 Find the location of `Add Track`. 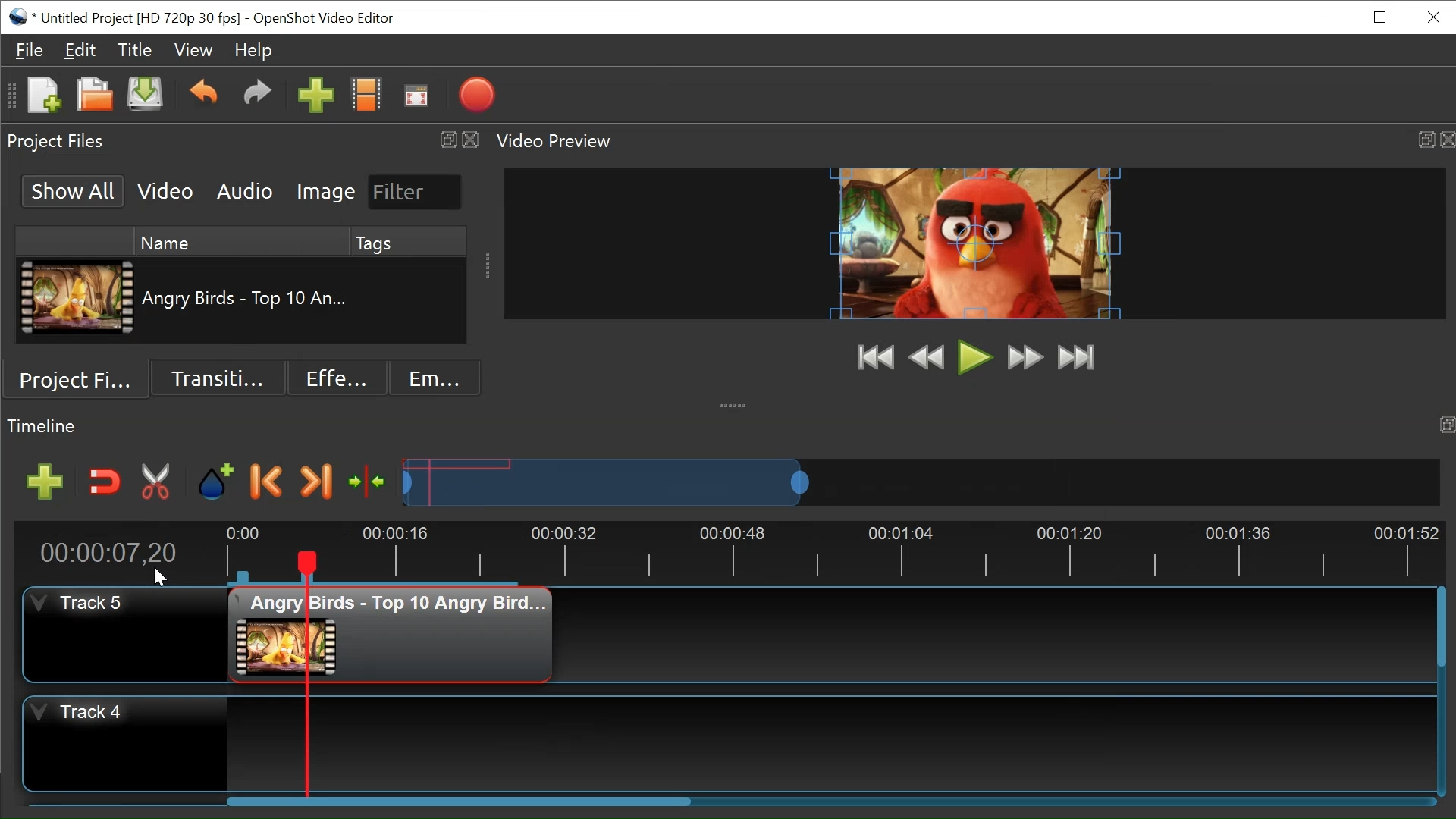

Add Track is located at coordinates (45, 482).